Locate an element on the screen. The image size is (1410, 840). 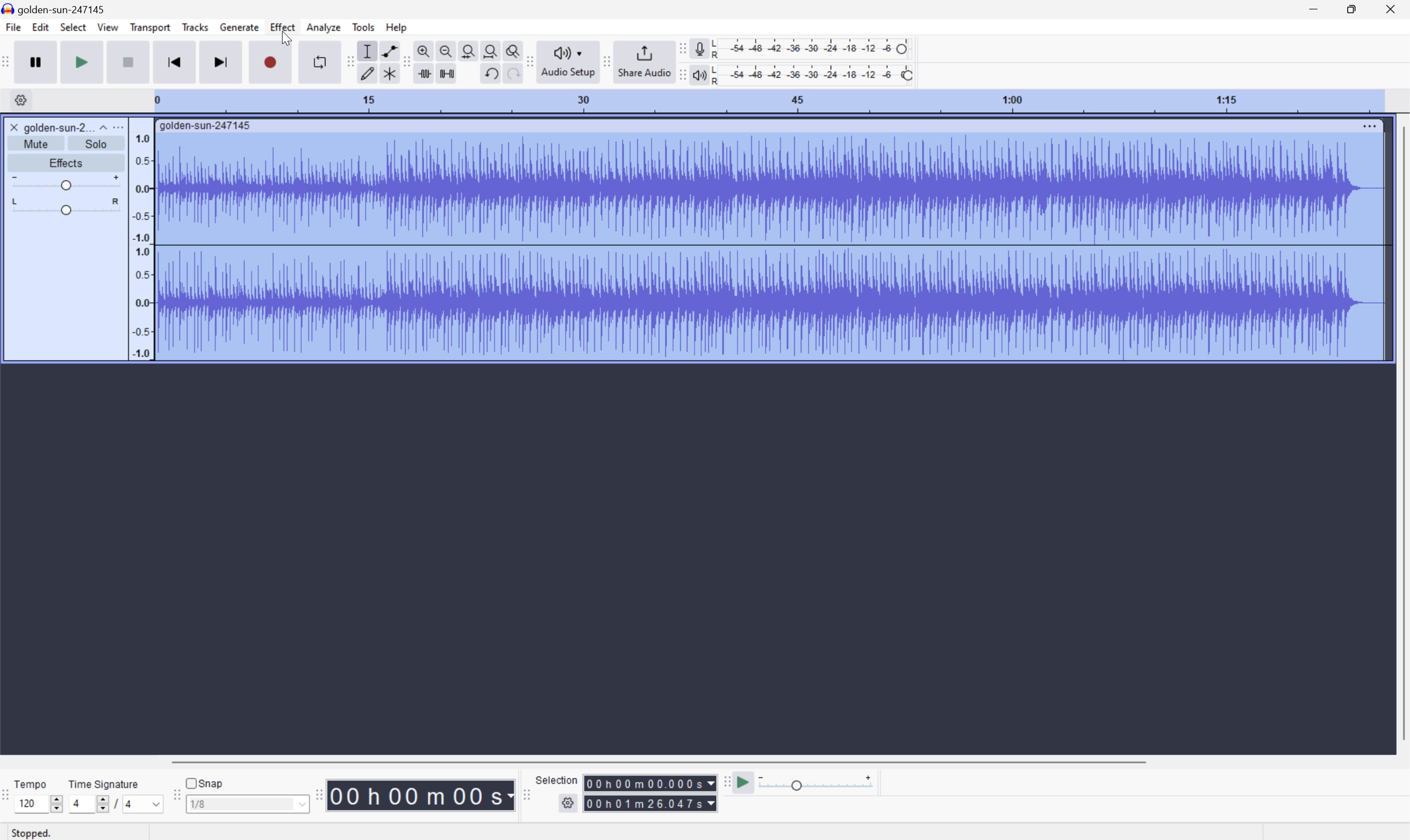
Fit project to width is located at coordinates (491, 51).